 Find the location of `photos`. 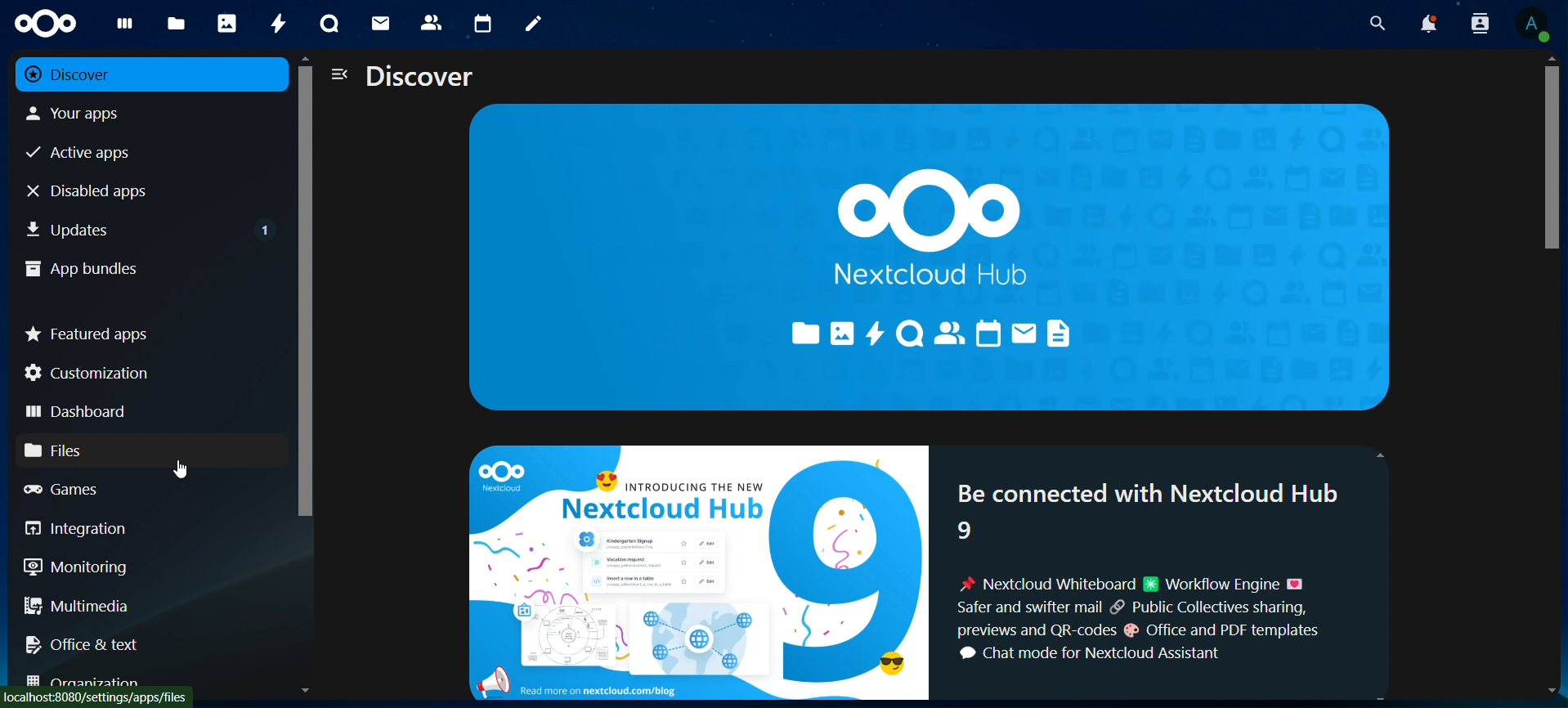

photos is located at coordinates (226, 22).